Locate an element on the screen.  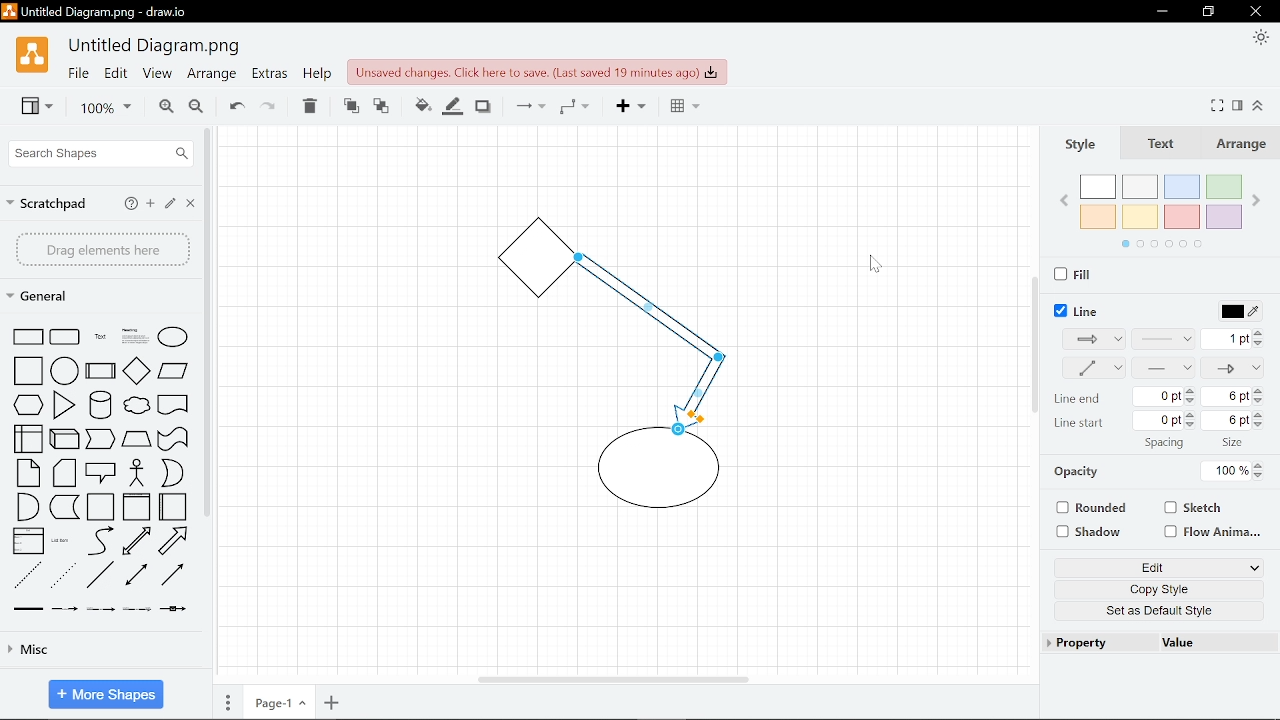
shape is located at coordinates (136, 440).